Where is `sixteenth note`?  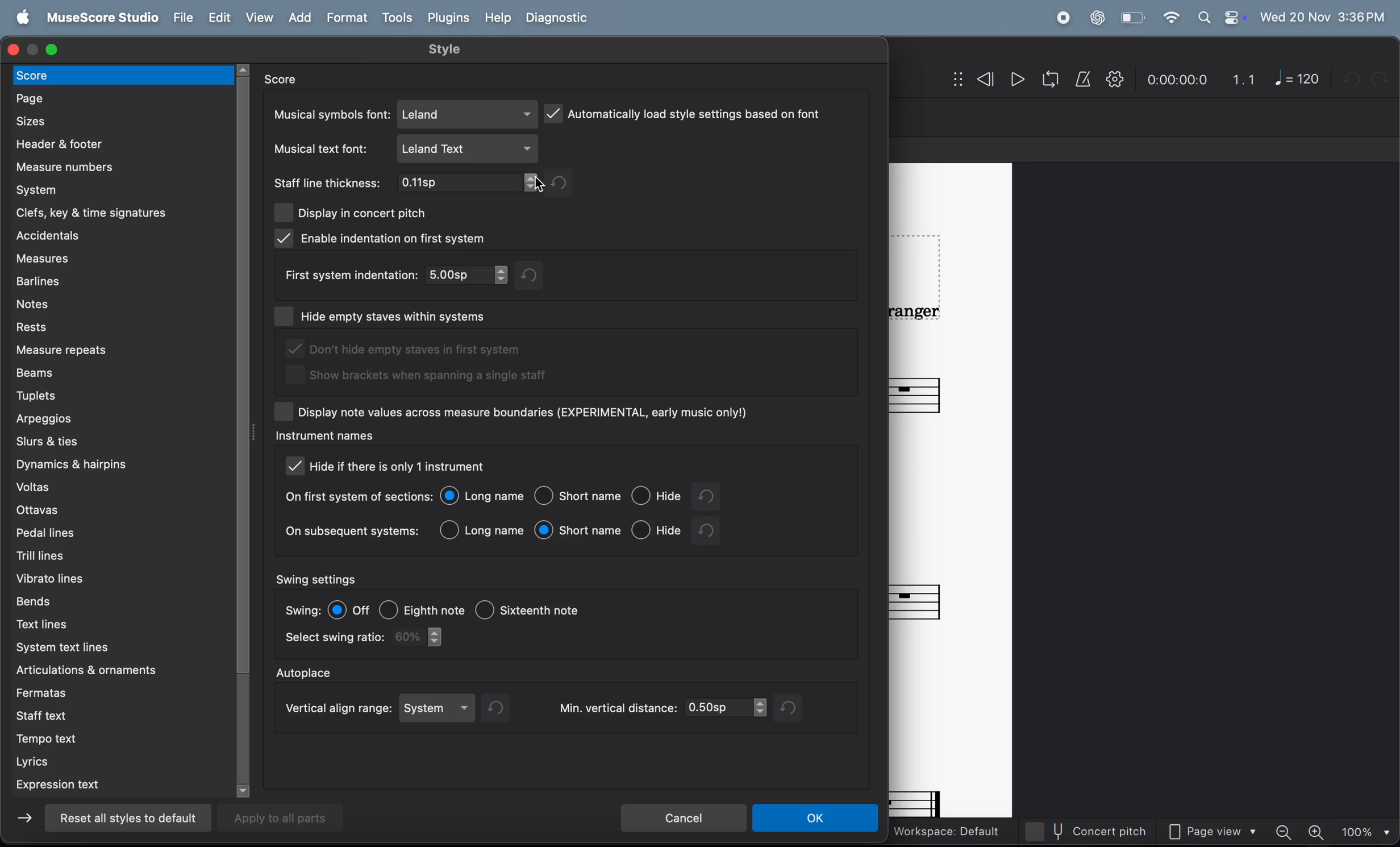
sixteenth note is located at coordinates (550, 612).